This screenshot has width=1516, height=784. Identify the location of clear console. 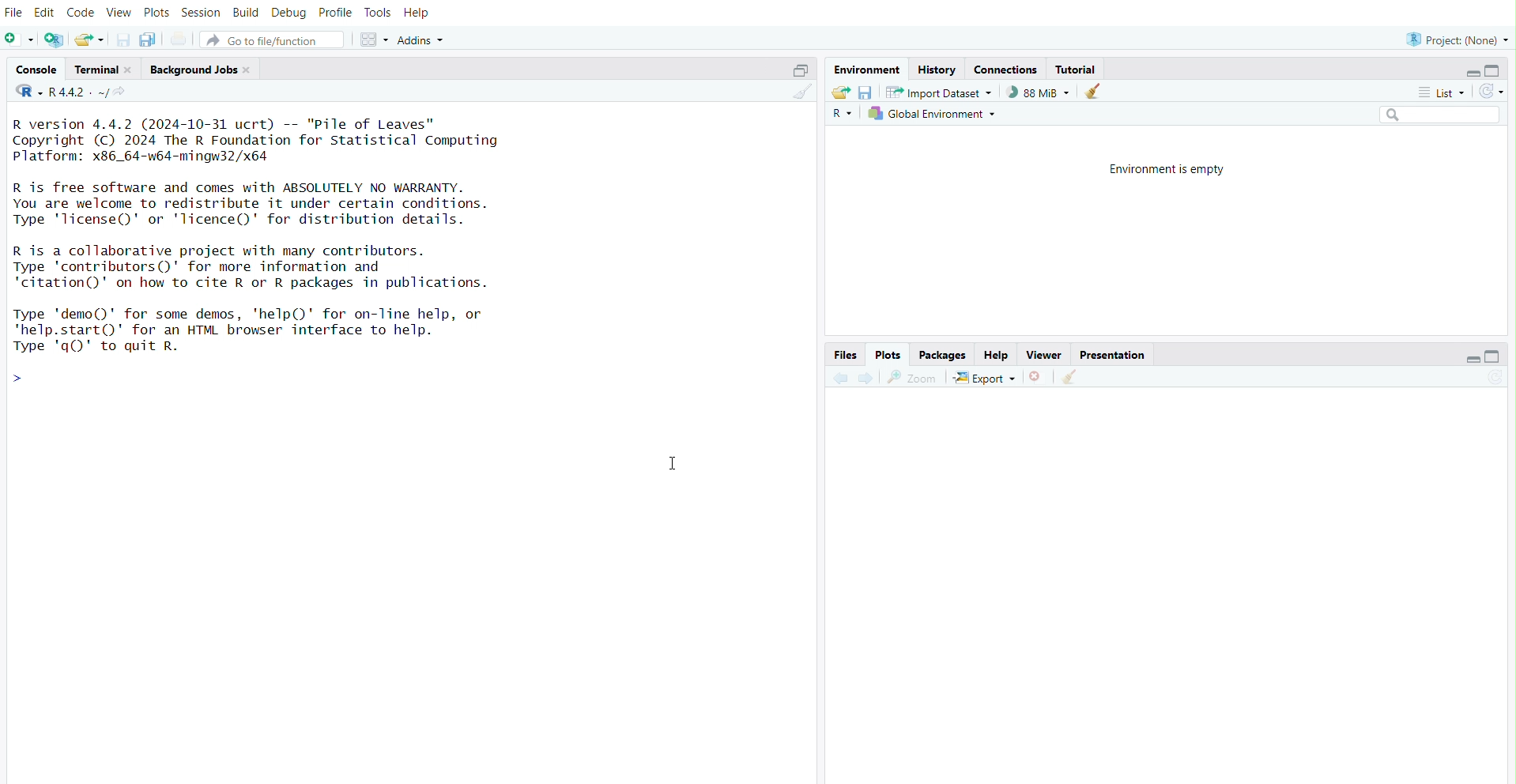
(799, 92).